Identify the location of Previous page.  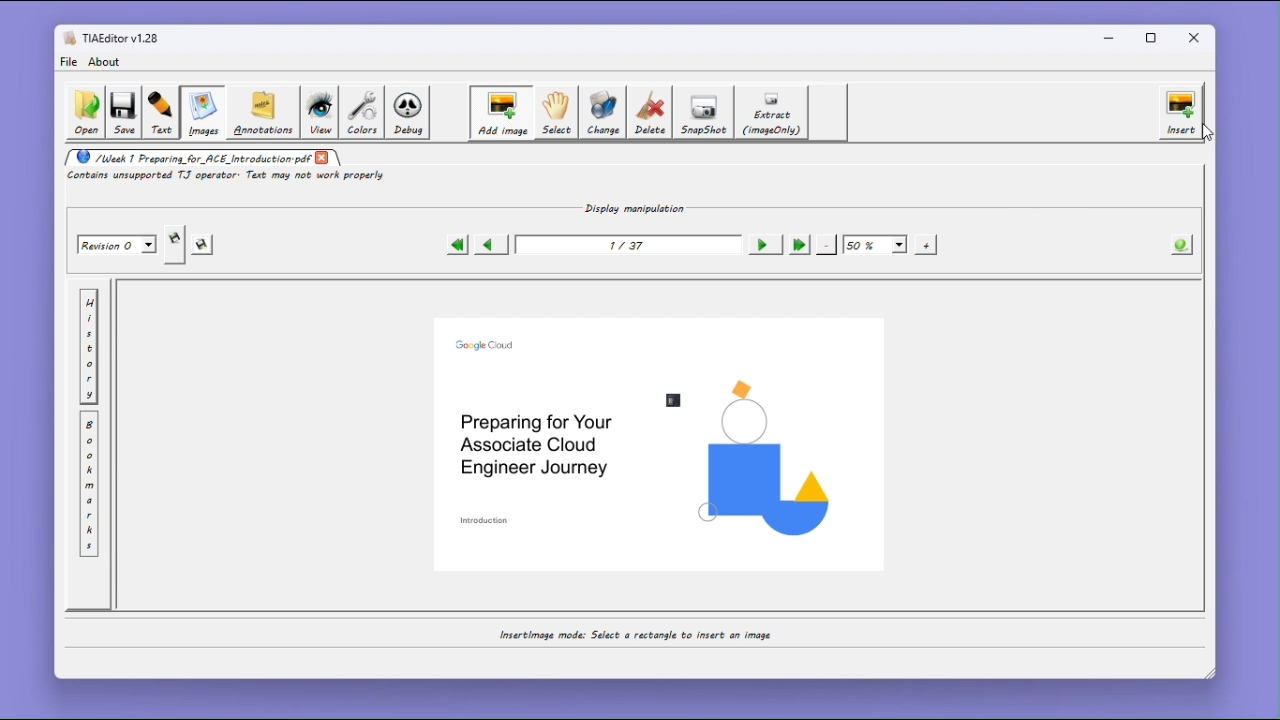
(489, 244).